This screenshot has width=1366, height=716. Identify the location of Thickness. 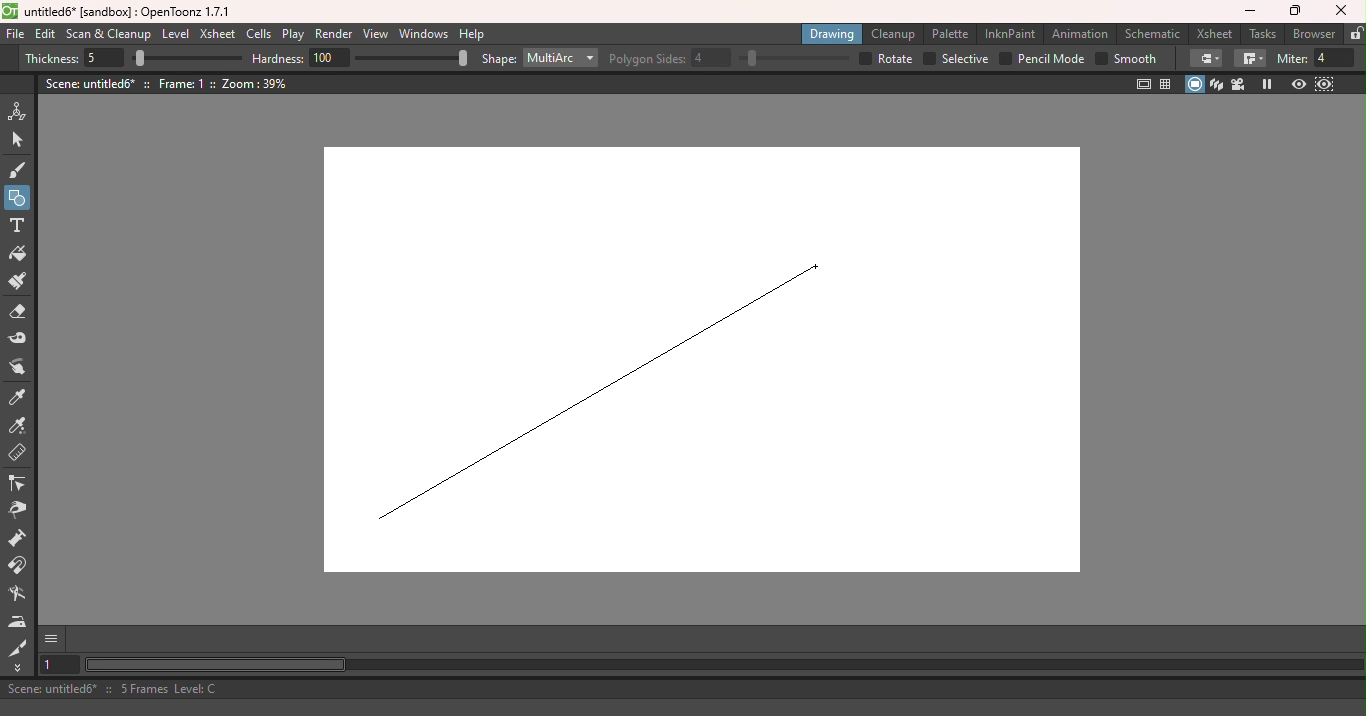
(74, 59).